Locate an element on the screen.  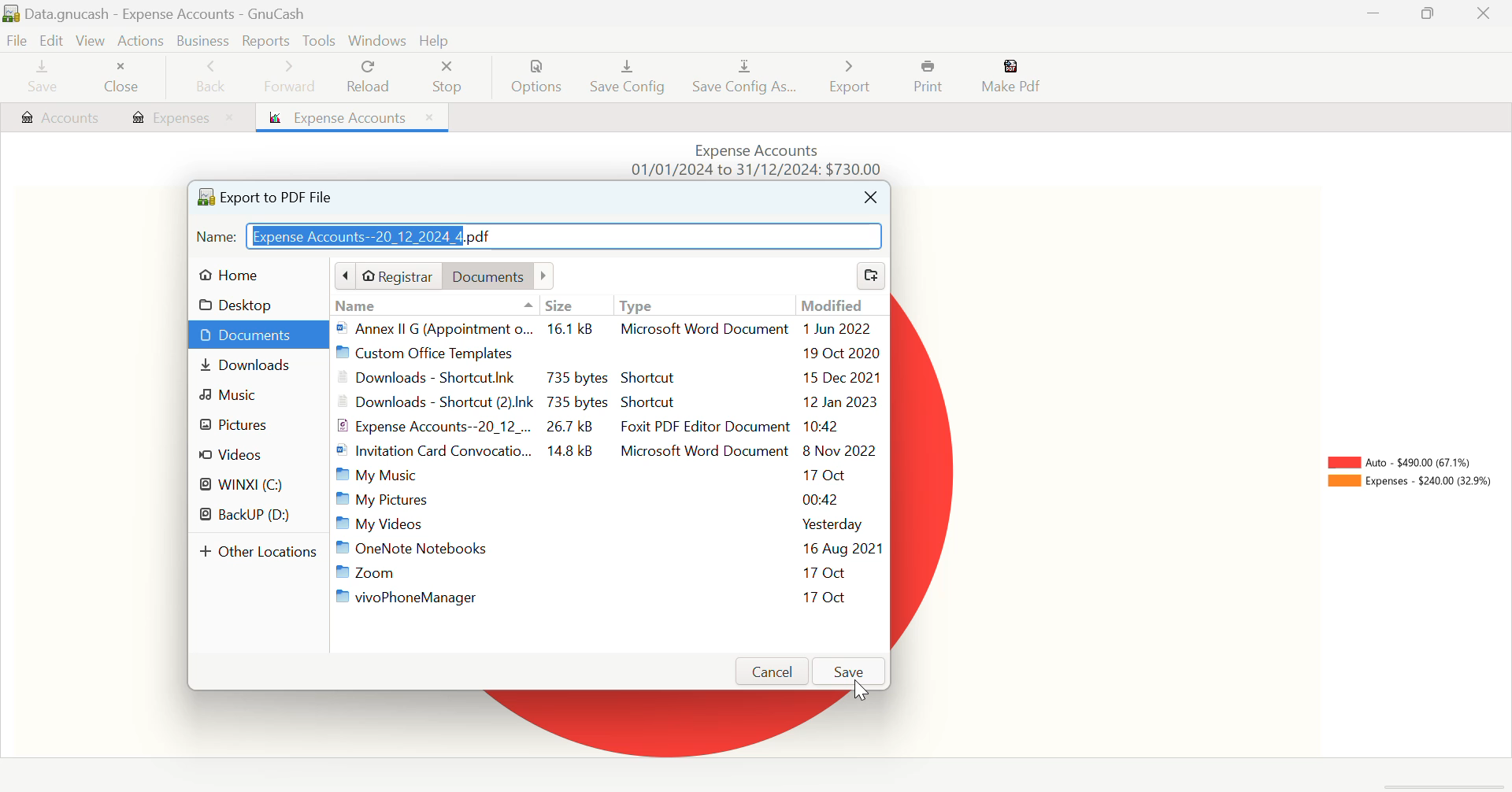
Expenses Tab is located at coordinates (183, 117).